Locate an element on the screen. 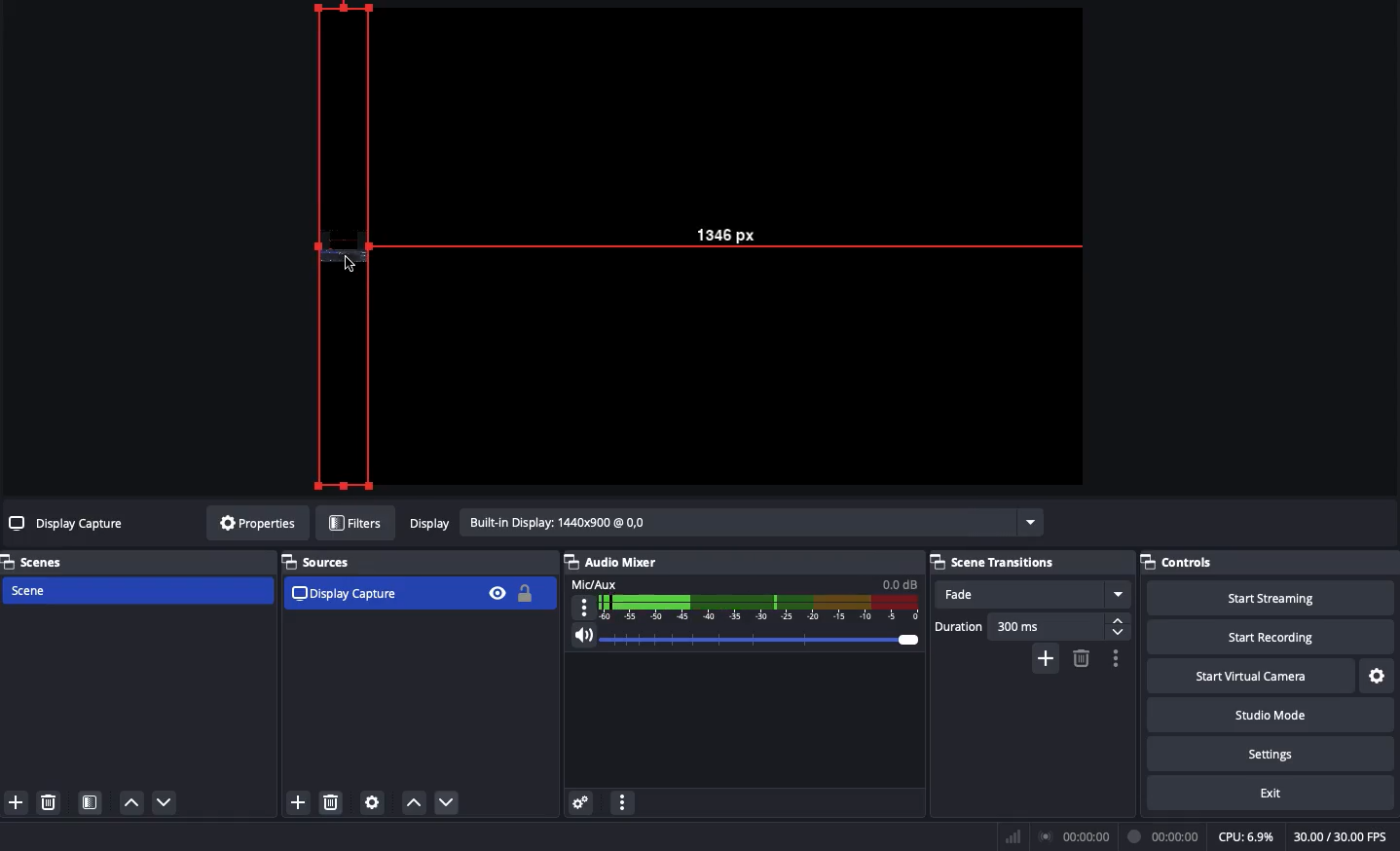  Up is located at coordinates (413, 804).